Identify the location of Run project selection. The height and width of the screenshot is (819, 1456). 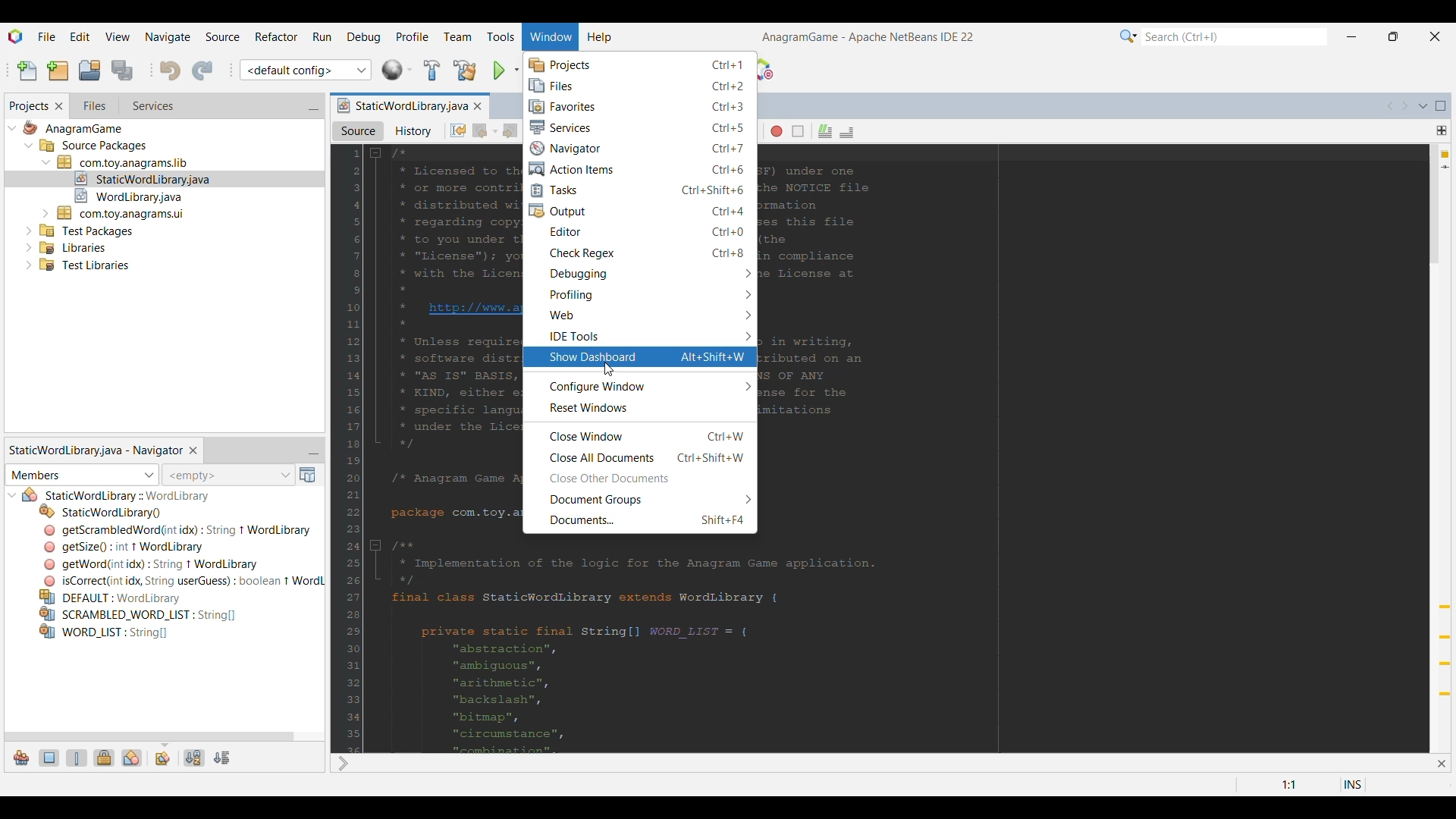
(500, 71).